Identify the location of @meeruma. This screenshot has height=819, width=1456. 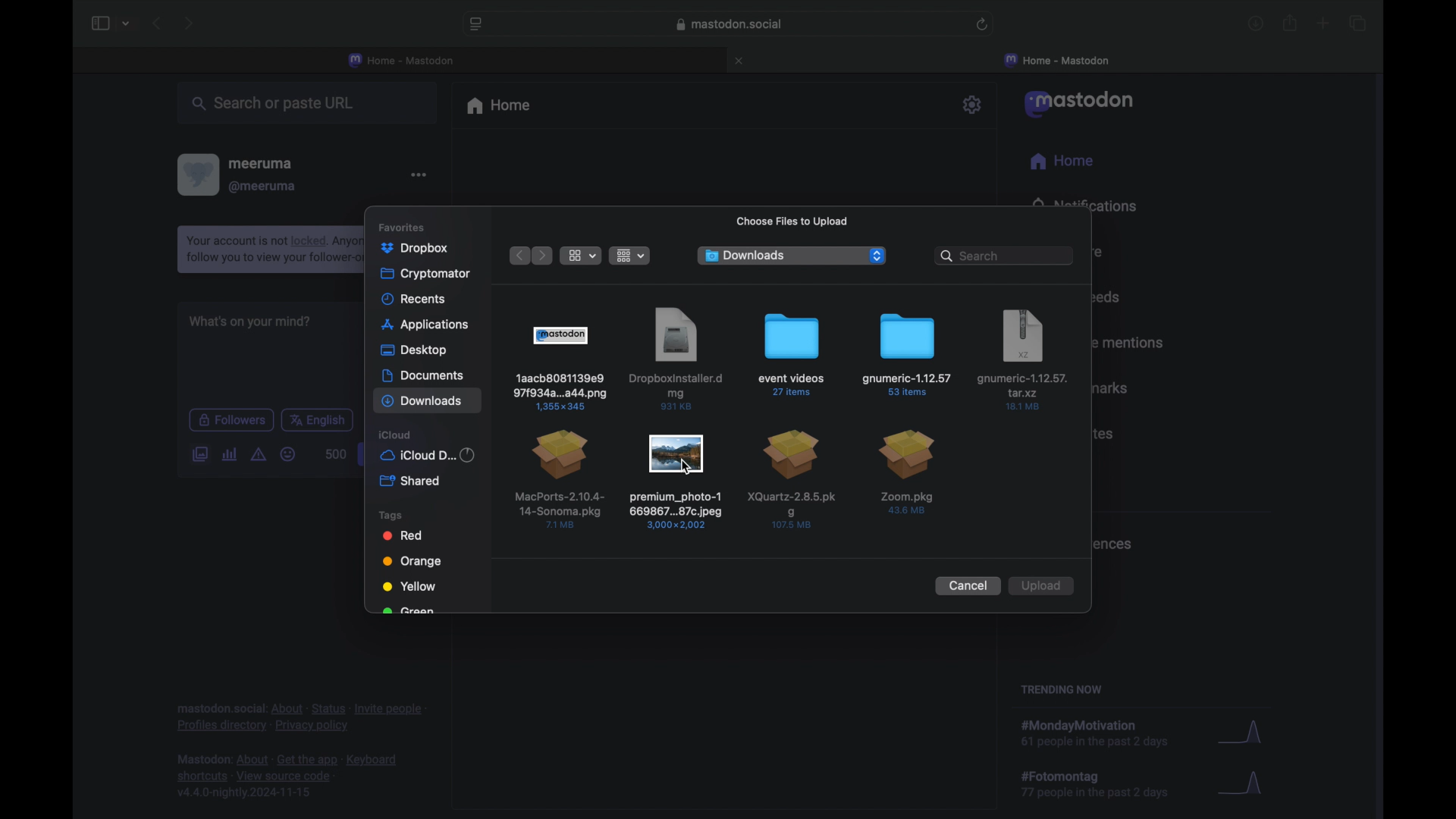
(264, 187).